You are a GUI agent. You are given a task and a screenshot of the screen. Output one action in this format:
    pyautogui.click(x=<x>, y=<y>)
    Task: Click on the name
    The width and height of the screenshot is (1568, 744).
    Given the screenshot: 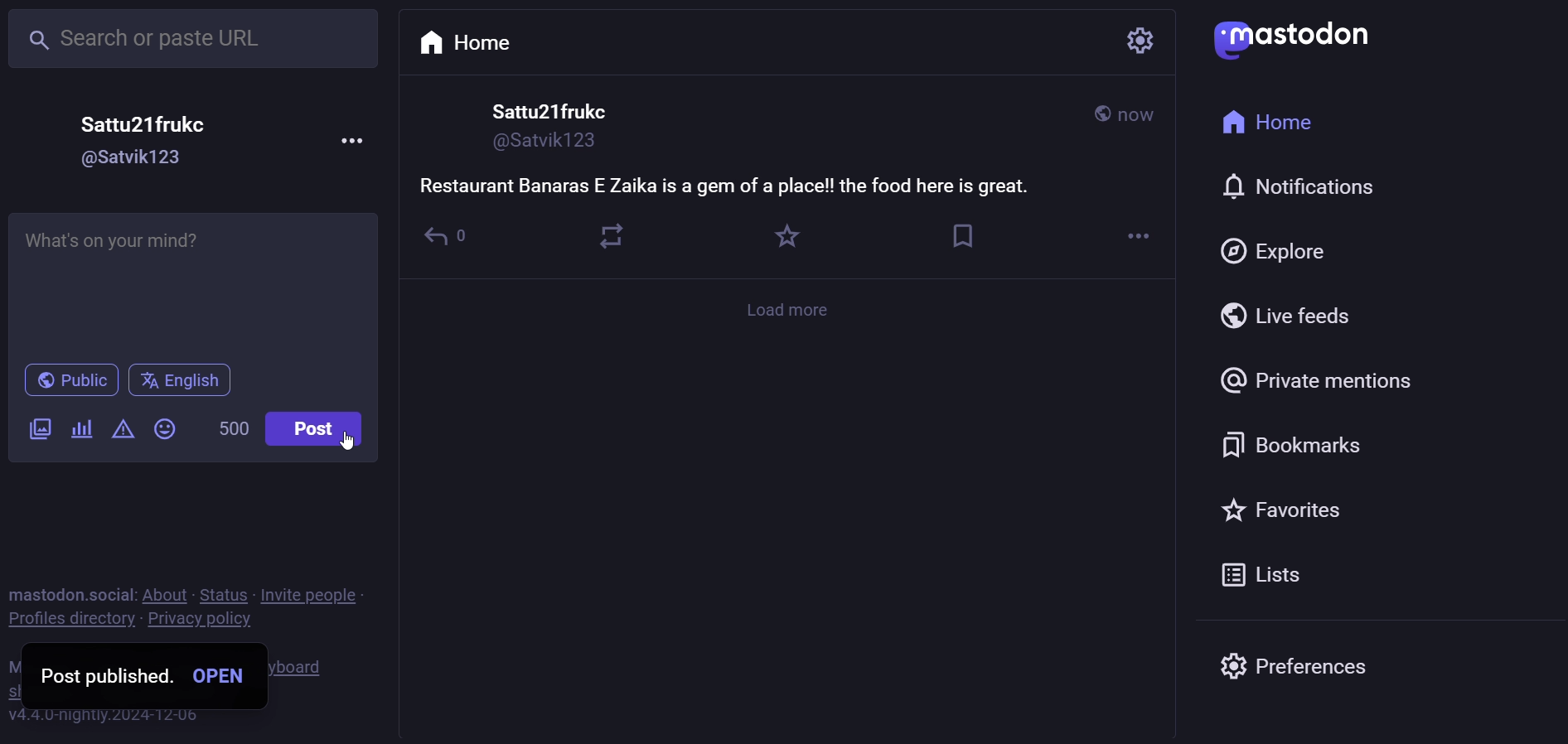 What is the action you would take?
    pyautogui.click(x=144, y=123)
    